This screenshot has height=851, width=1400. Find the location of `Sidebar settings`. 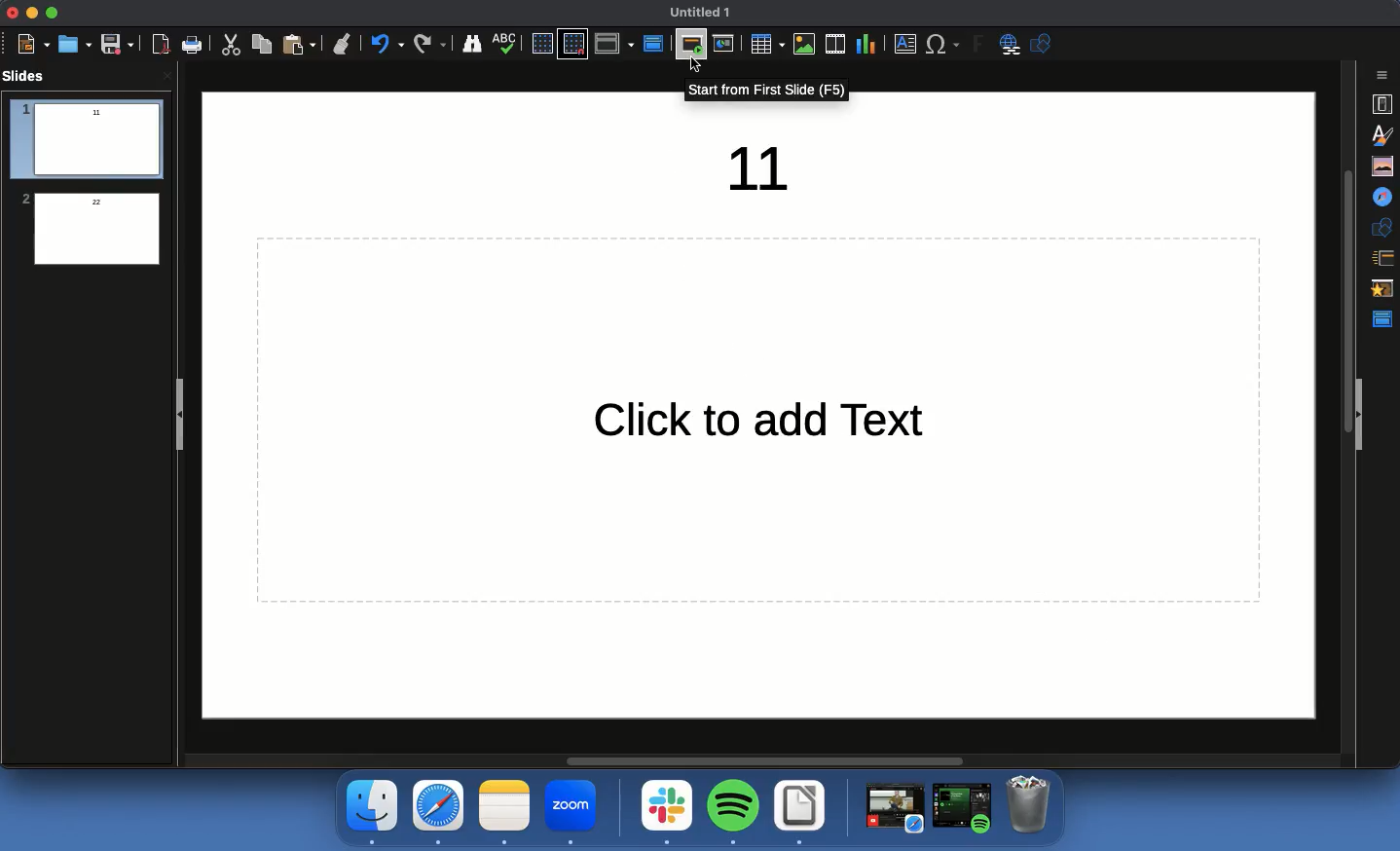

Sidebar settings is located at coordinates (1382, 77).